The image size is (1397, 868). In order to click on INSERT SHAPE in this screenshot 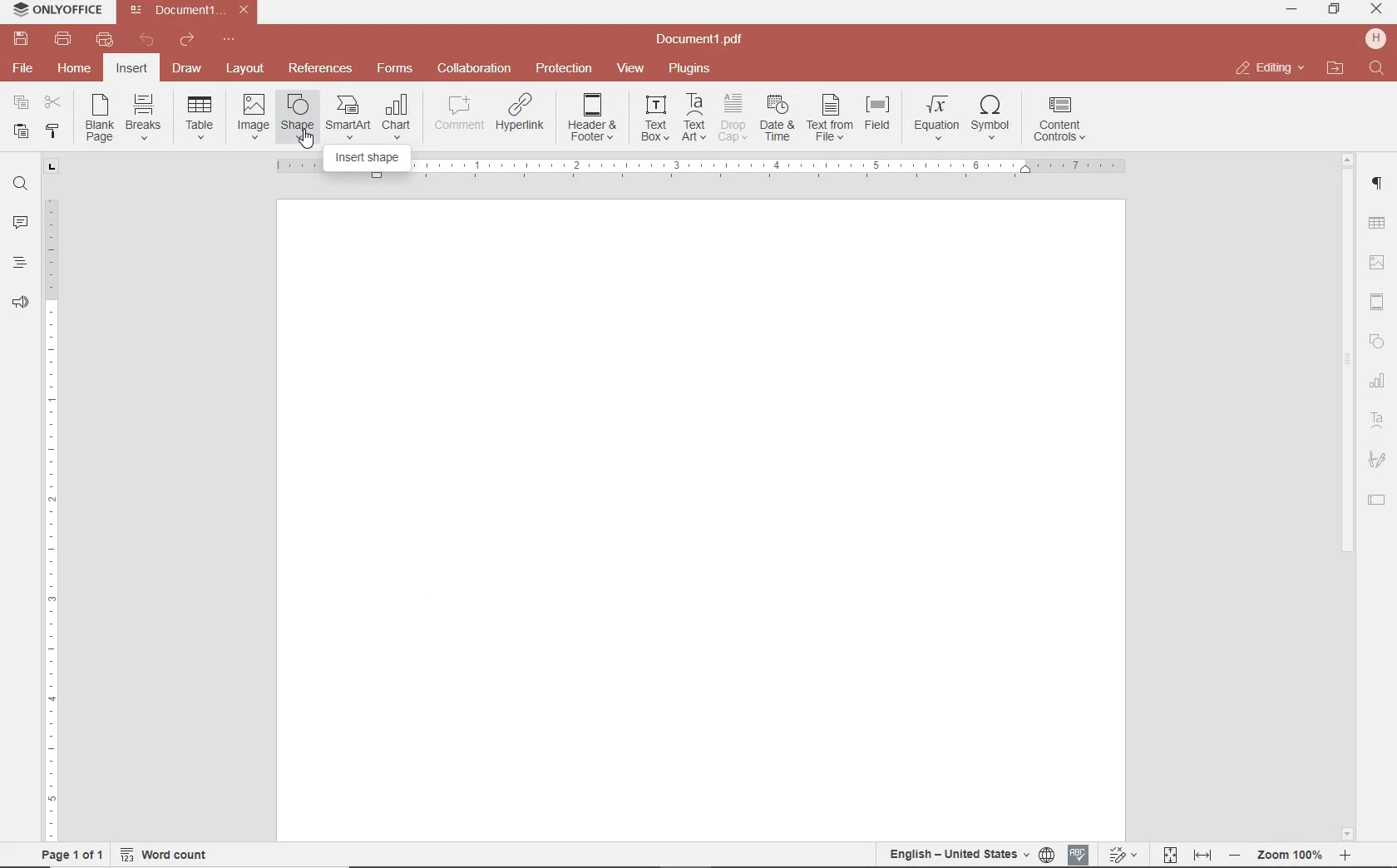, I will do `click(368, 160)`.